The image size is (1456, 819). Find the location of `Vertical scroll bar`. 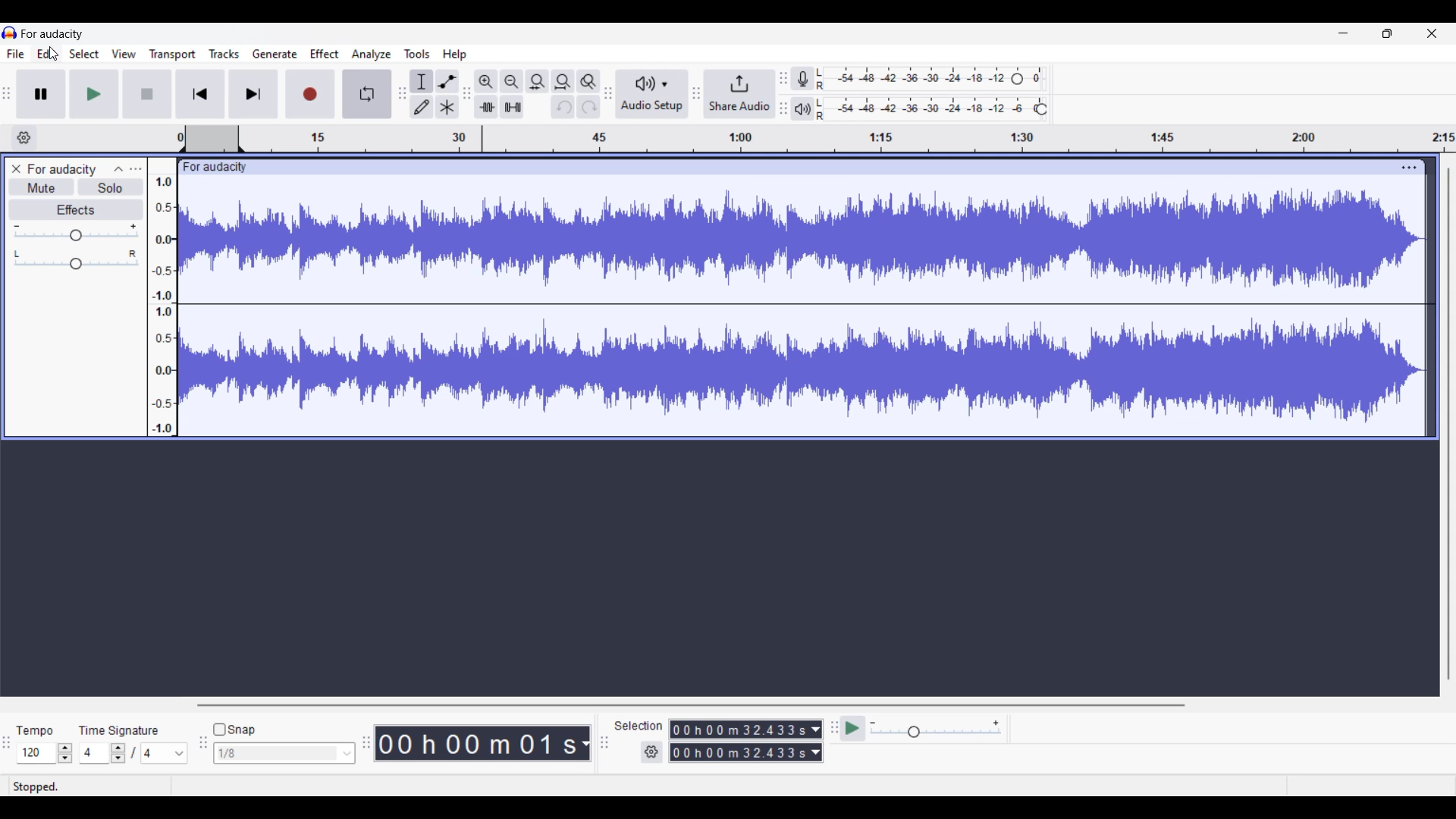

Vertical scroll bar is located at coordinates (1449, 424).